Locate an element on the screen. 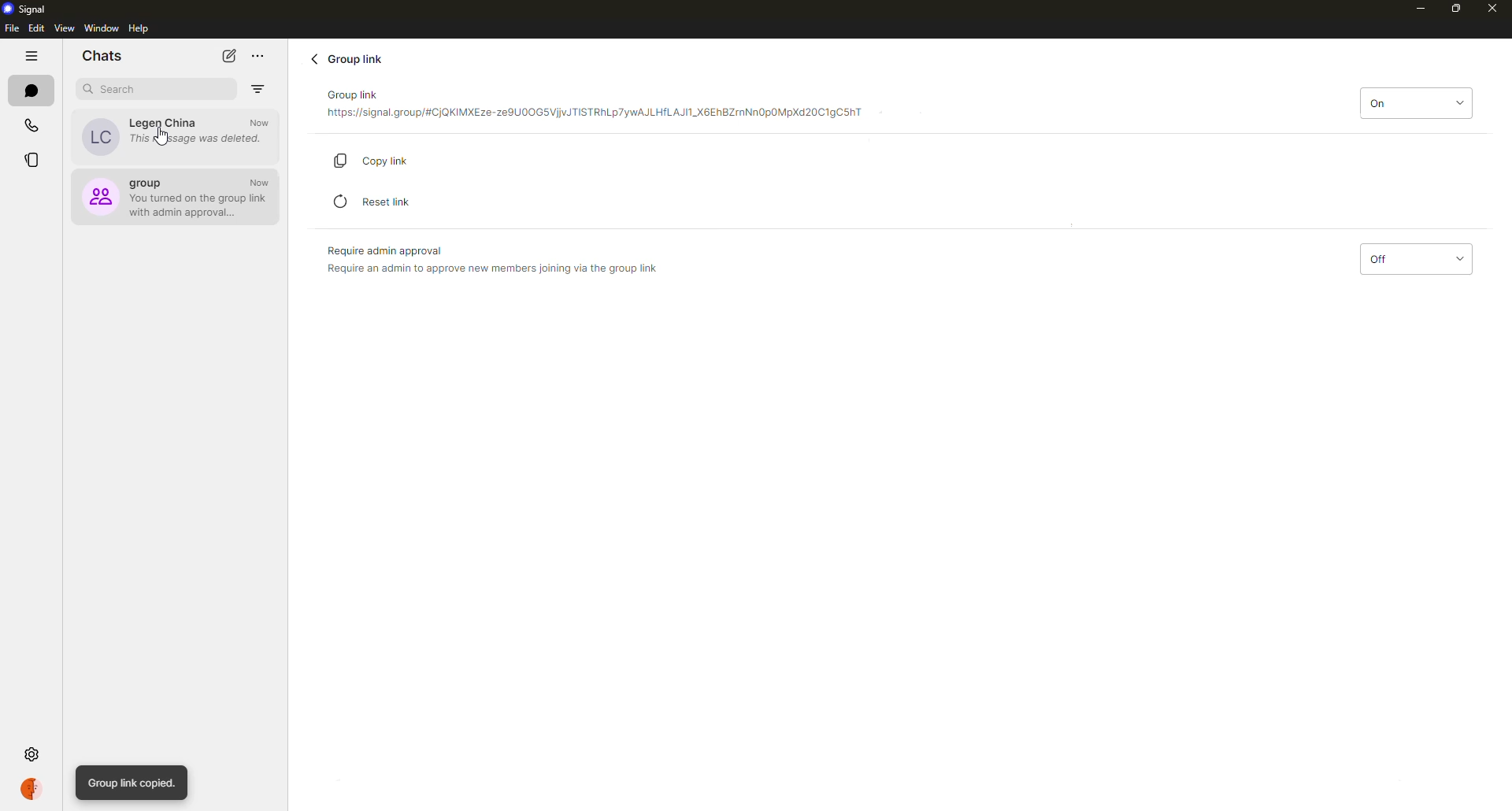  copy link is located at coordinates (384, 159).